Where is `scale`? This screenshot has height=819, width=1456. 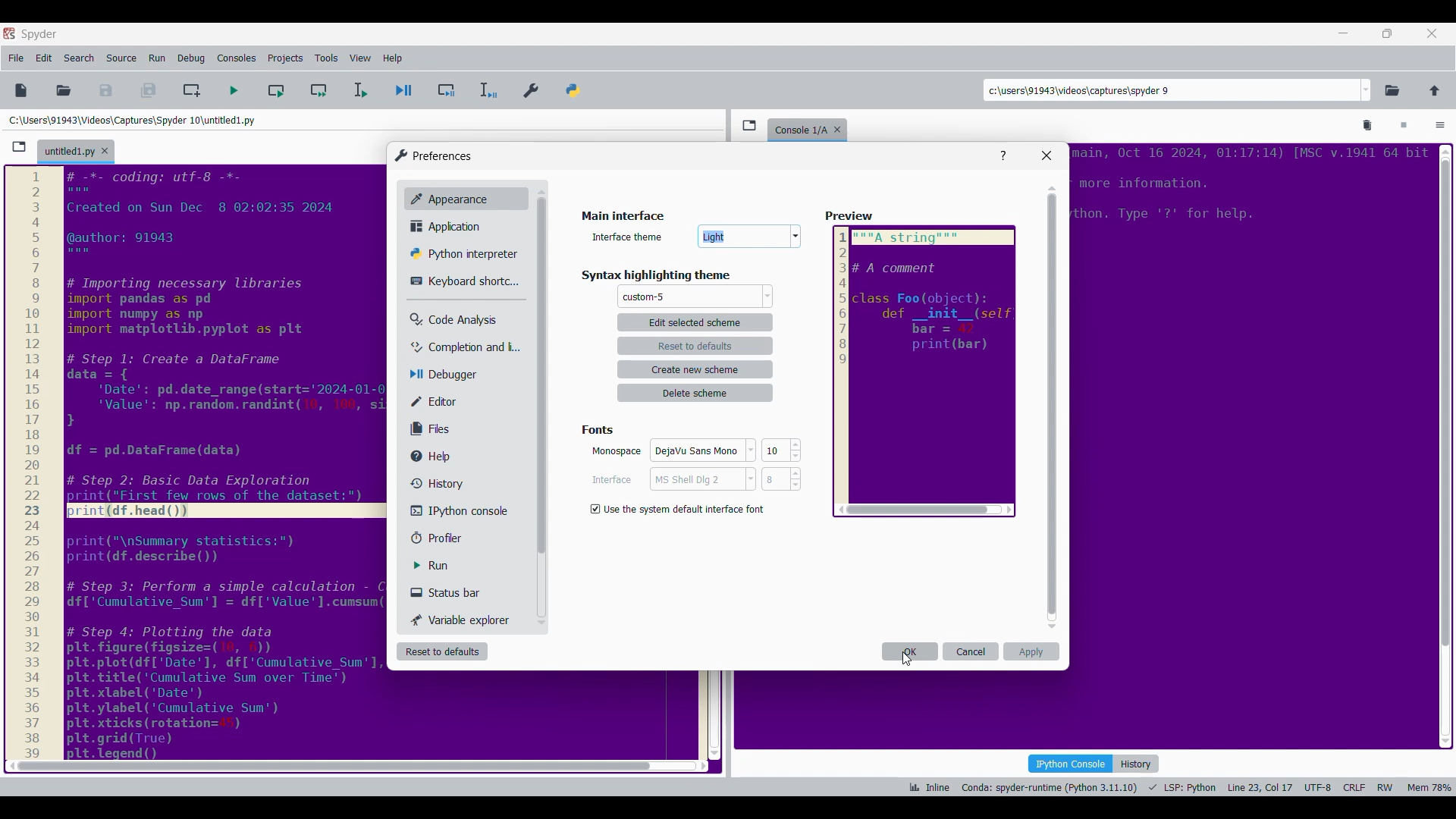
scale is located at coordinates (32, 463).